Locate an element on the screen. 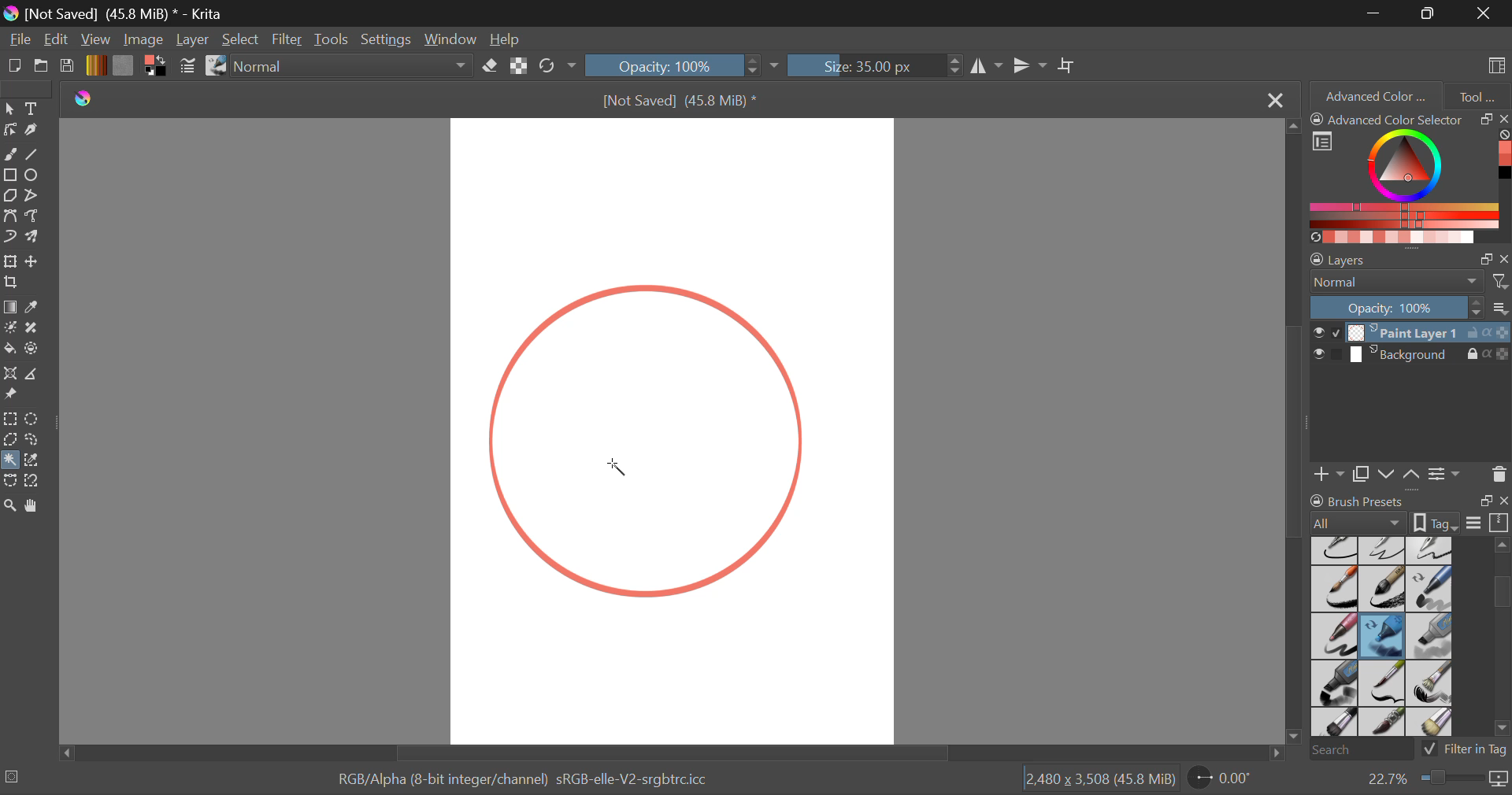 The height and width of the screenshot is (795, 1512). Blending Mode is located at coordinates (356, 67).